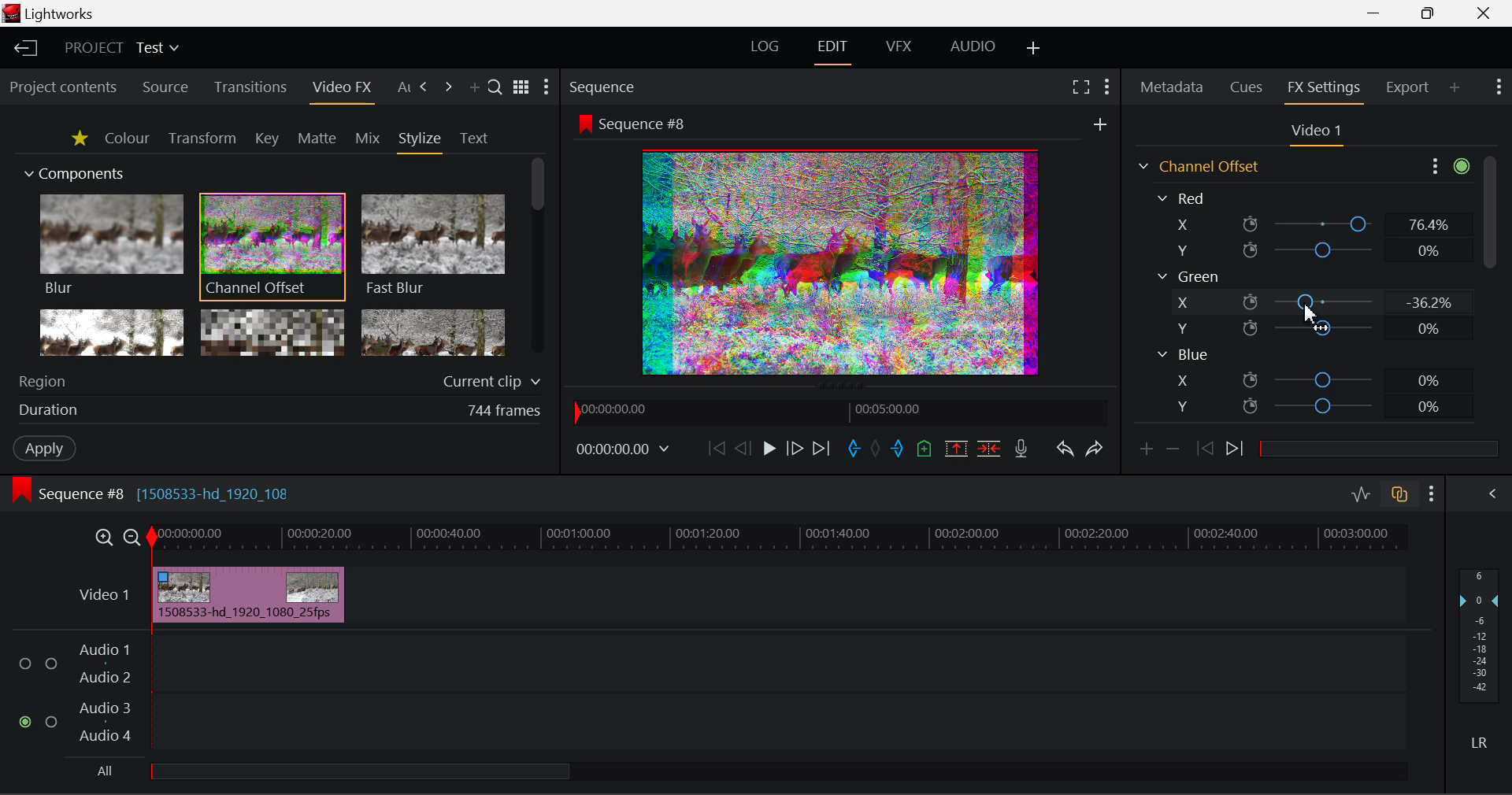  Describe the element at coordinates (854, 449) in the screenshot. I see `Mark In` at that location.